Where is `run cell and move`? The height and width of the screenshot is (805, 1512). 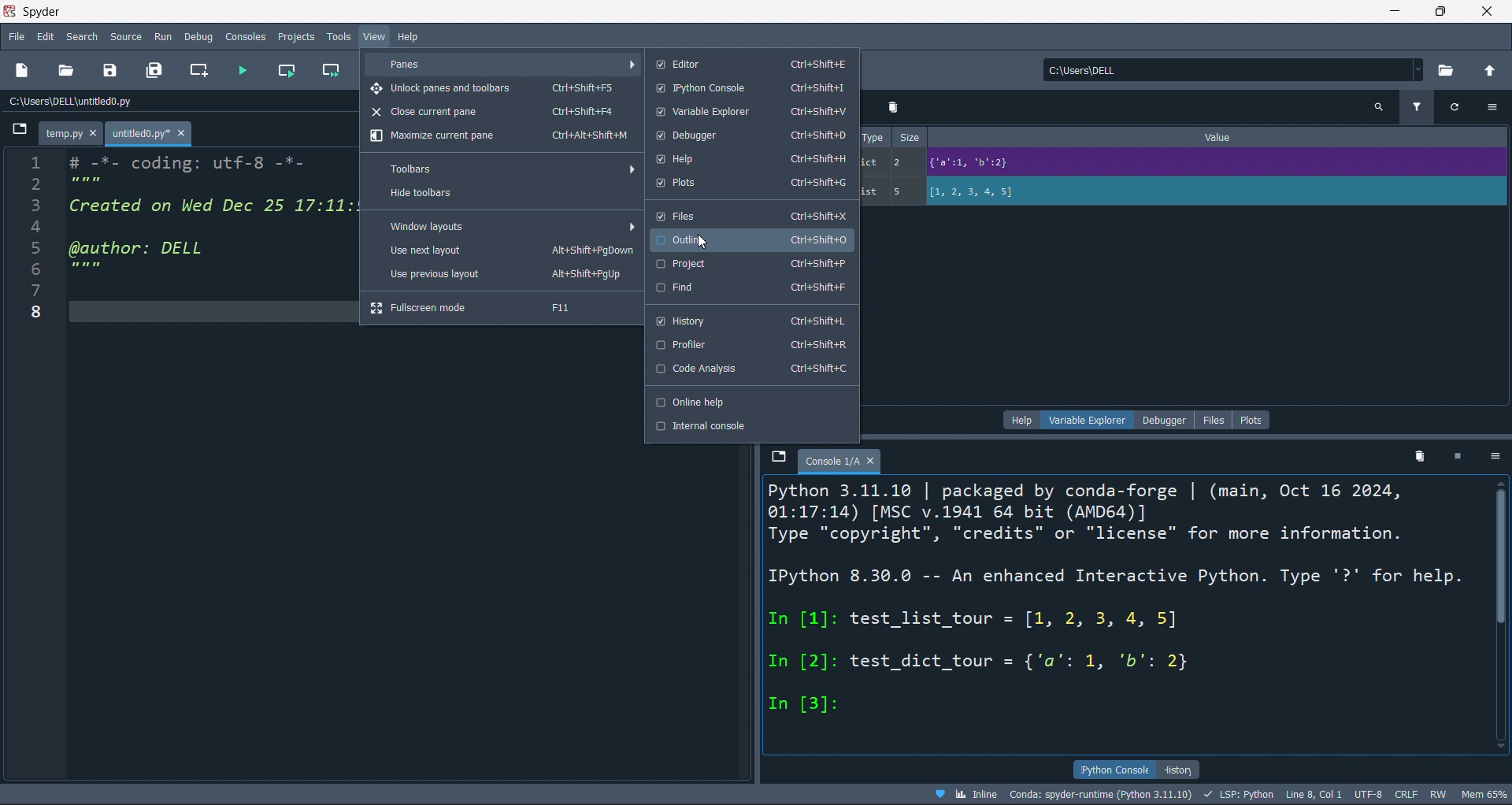
run cell and move is located at coordinates (333, 71).